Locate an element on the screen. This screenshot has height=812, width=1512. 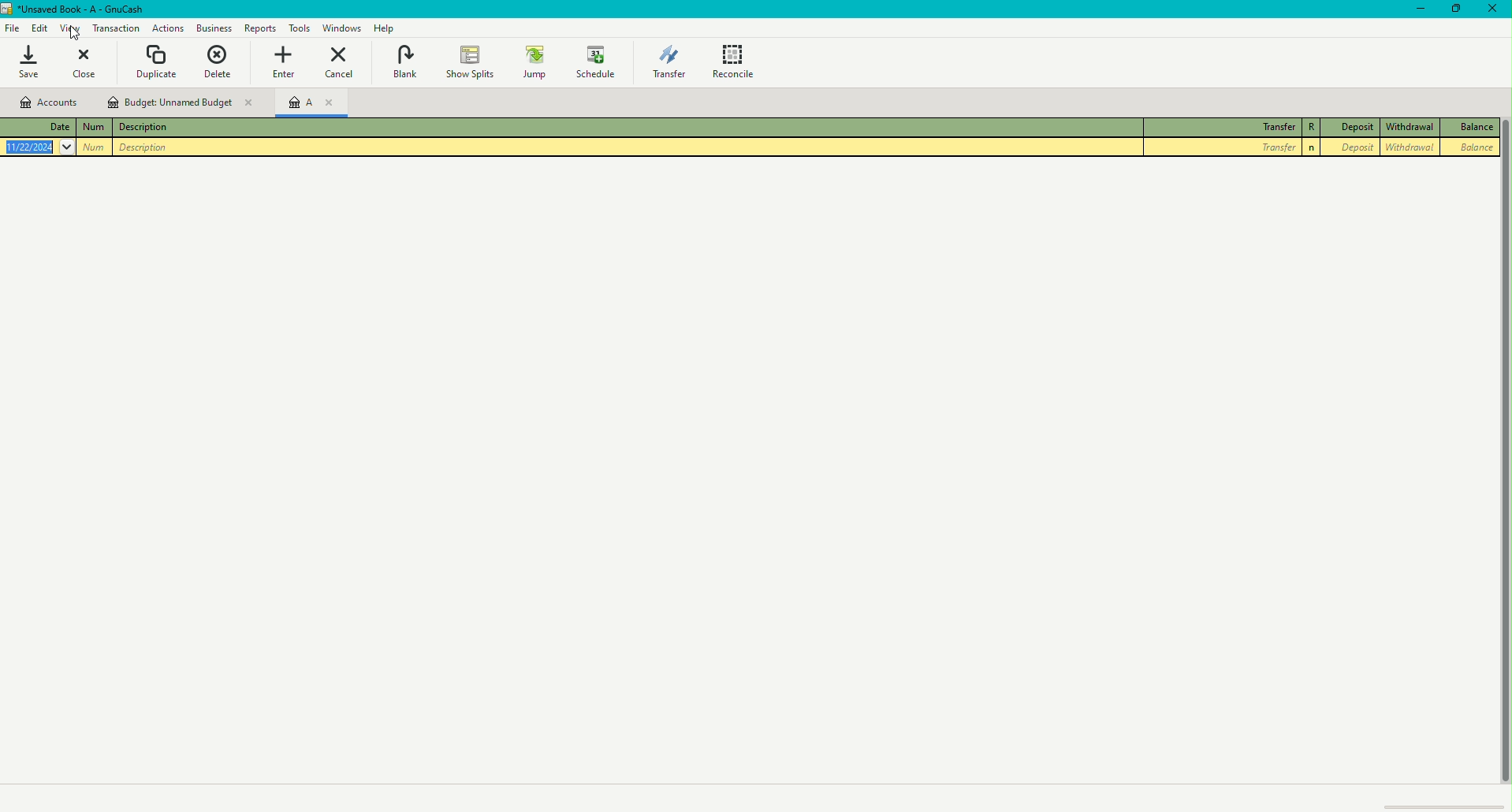
Withdrawal is located at coordinates (1412, 126).